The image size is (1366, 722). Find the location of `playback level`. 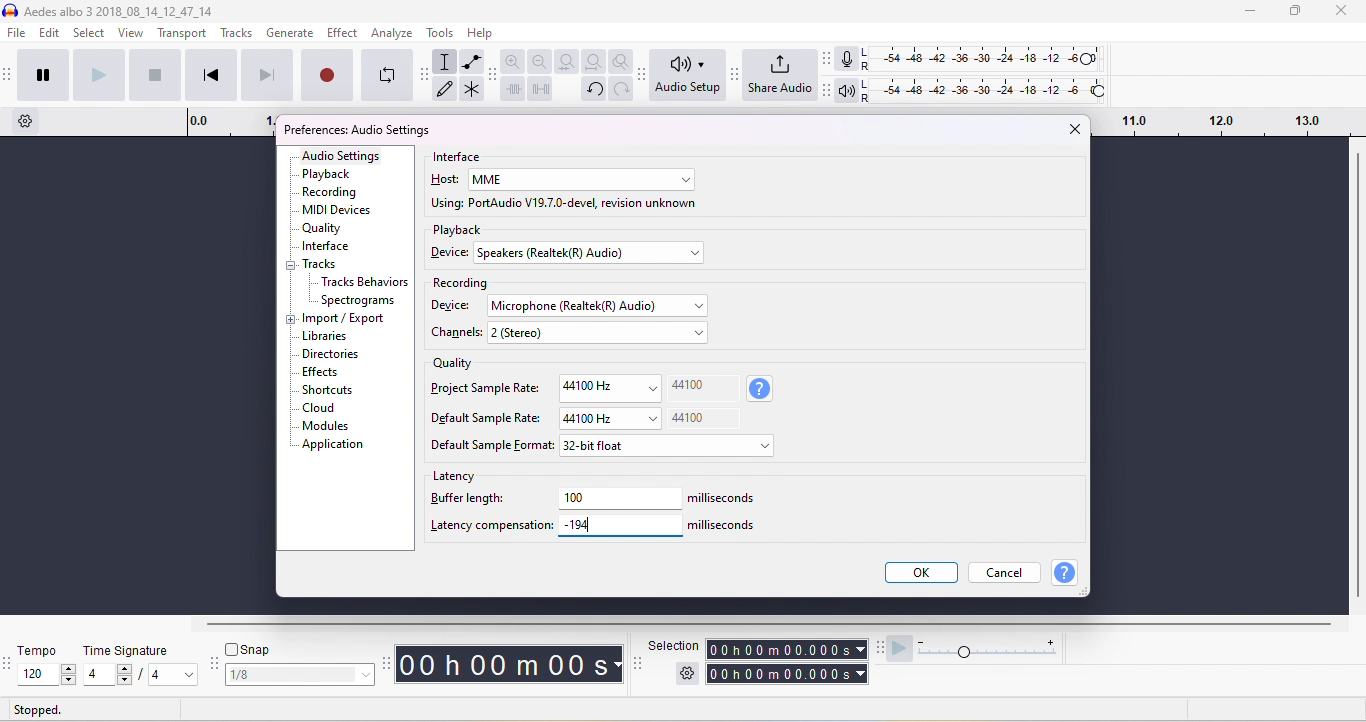

playback level is located at coordinates (990, 87).